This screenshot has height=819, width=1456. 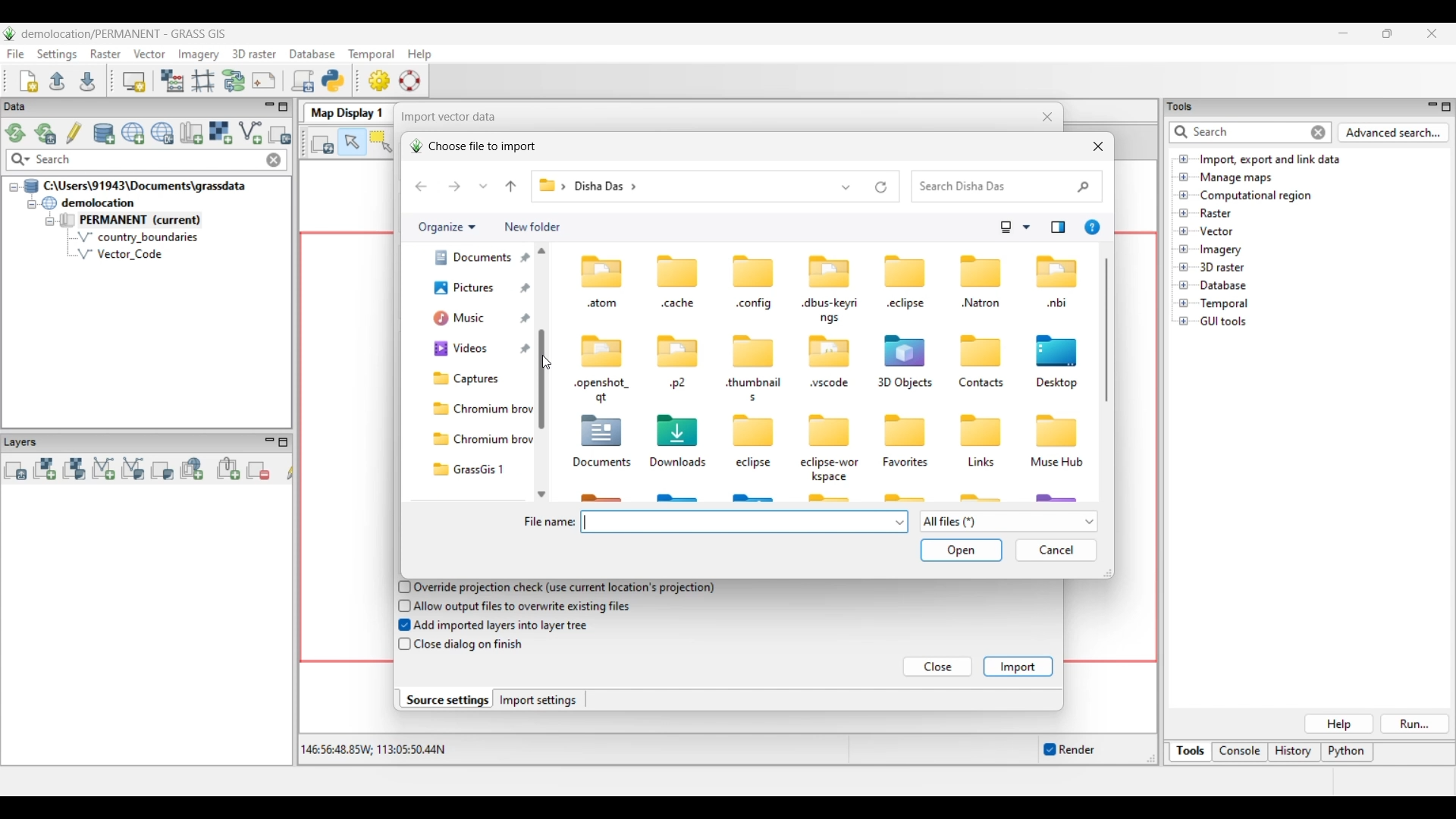 I want to click on Add web service layer, so click(x=192, y=469).